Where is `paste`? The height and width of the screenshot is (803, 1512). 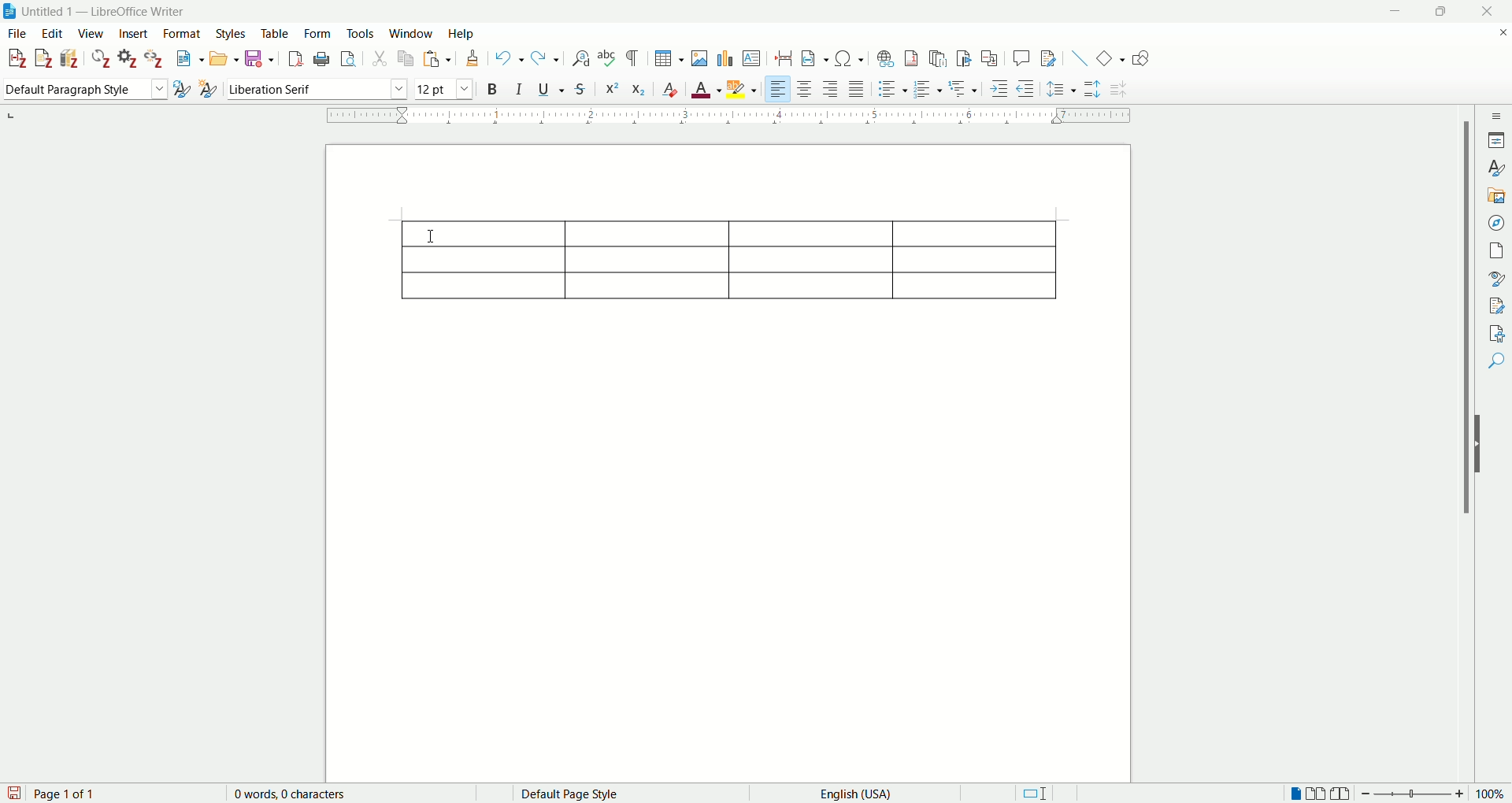
paste is located at coordinates (437, 58).